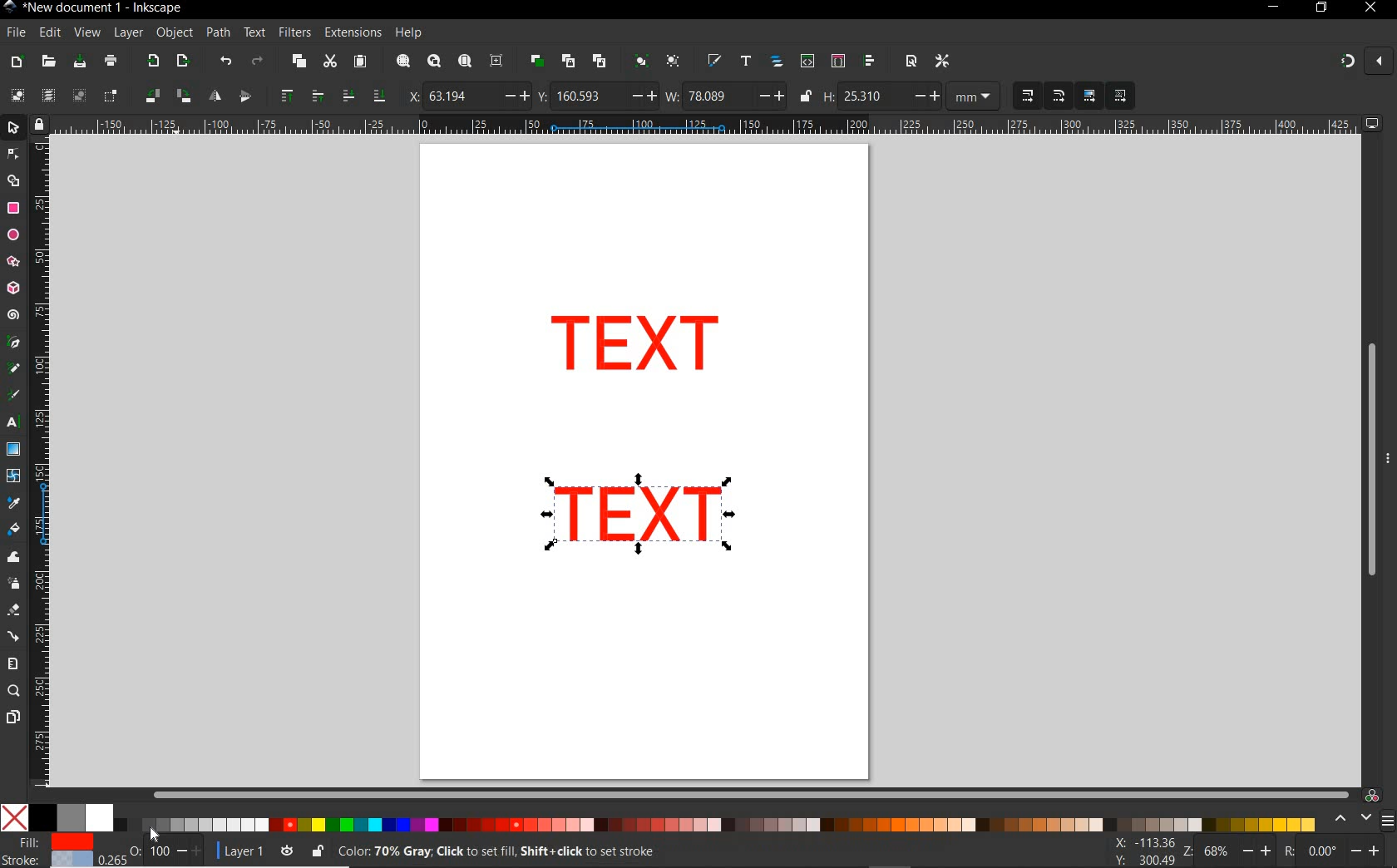  Describe the element at coordinates (166, 96) in the screenshot. I see `object rotate` at that location.